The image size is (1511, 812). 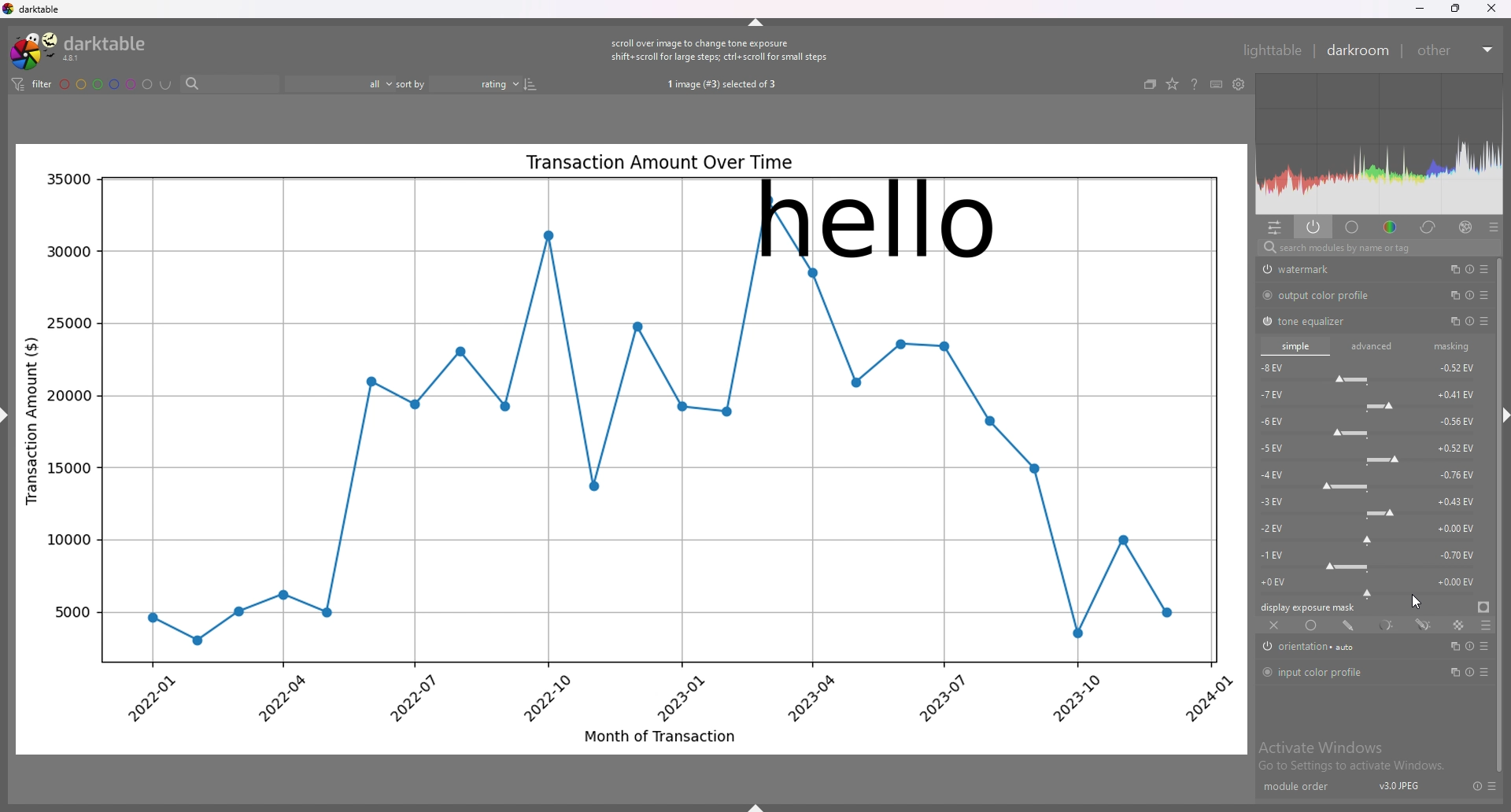 What do you see at coordinates (940, 697) in the screenshot?
I see `2023-07` at bounding box center [940, 697].